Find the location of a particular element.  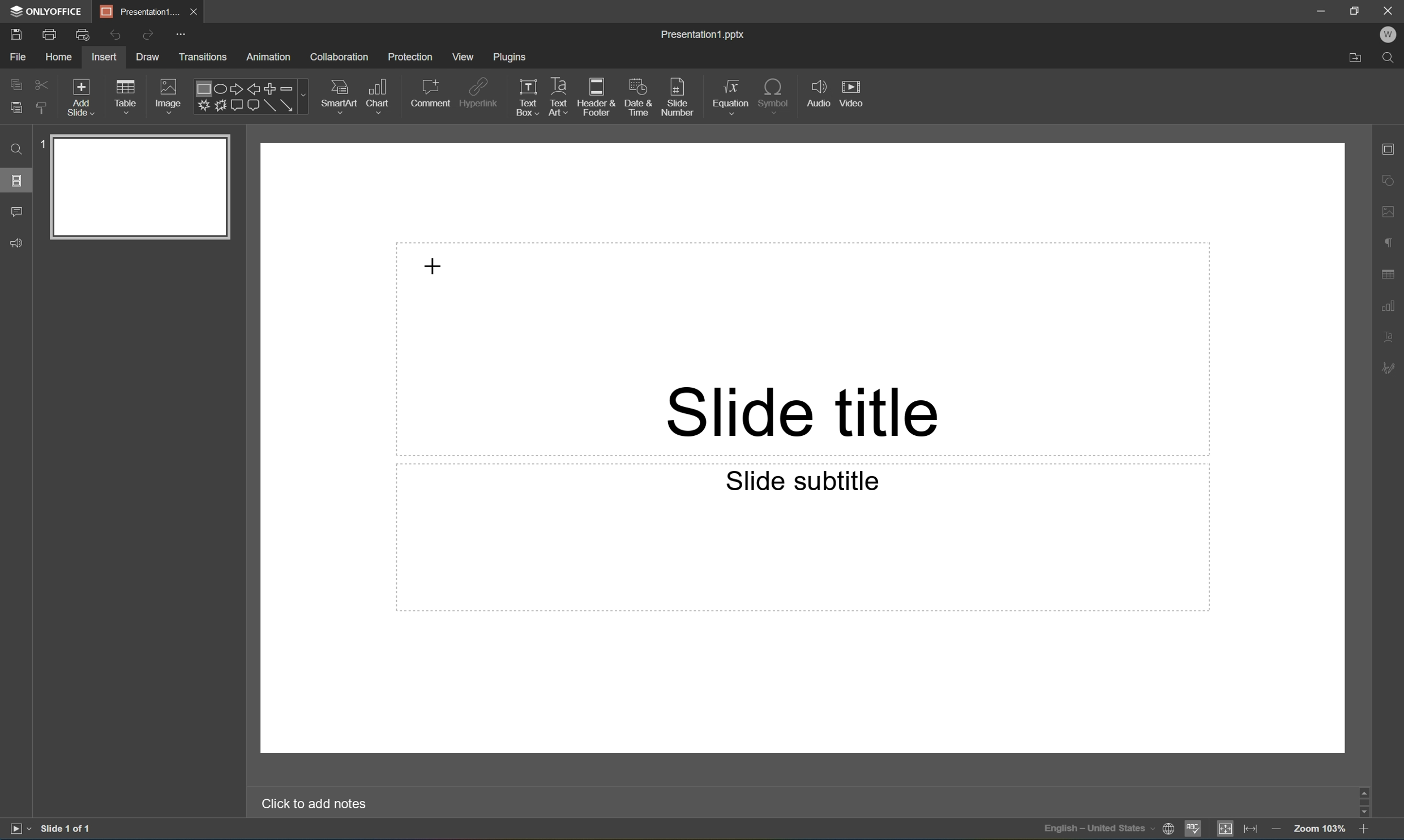

Minimize is located at coordinates (1321, 9).